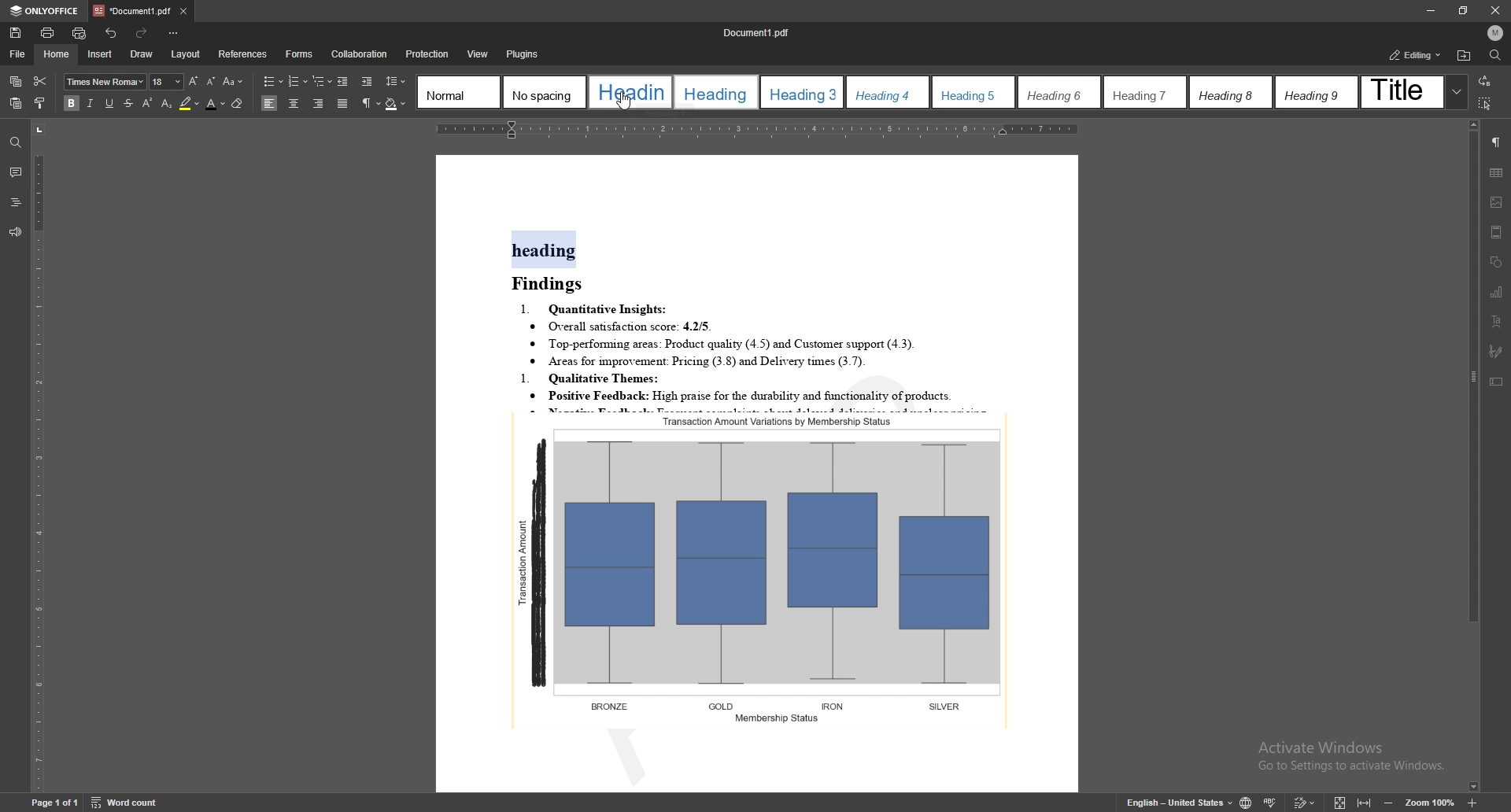  I want to click on subscript, so click(167, 104).